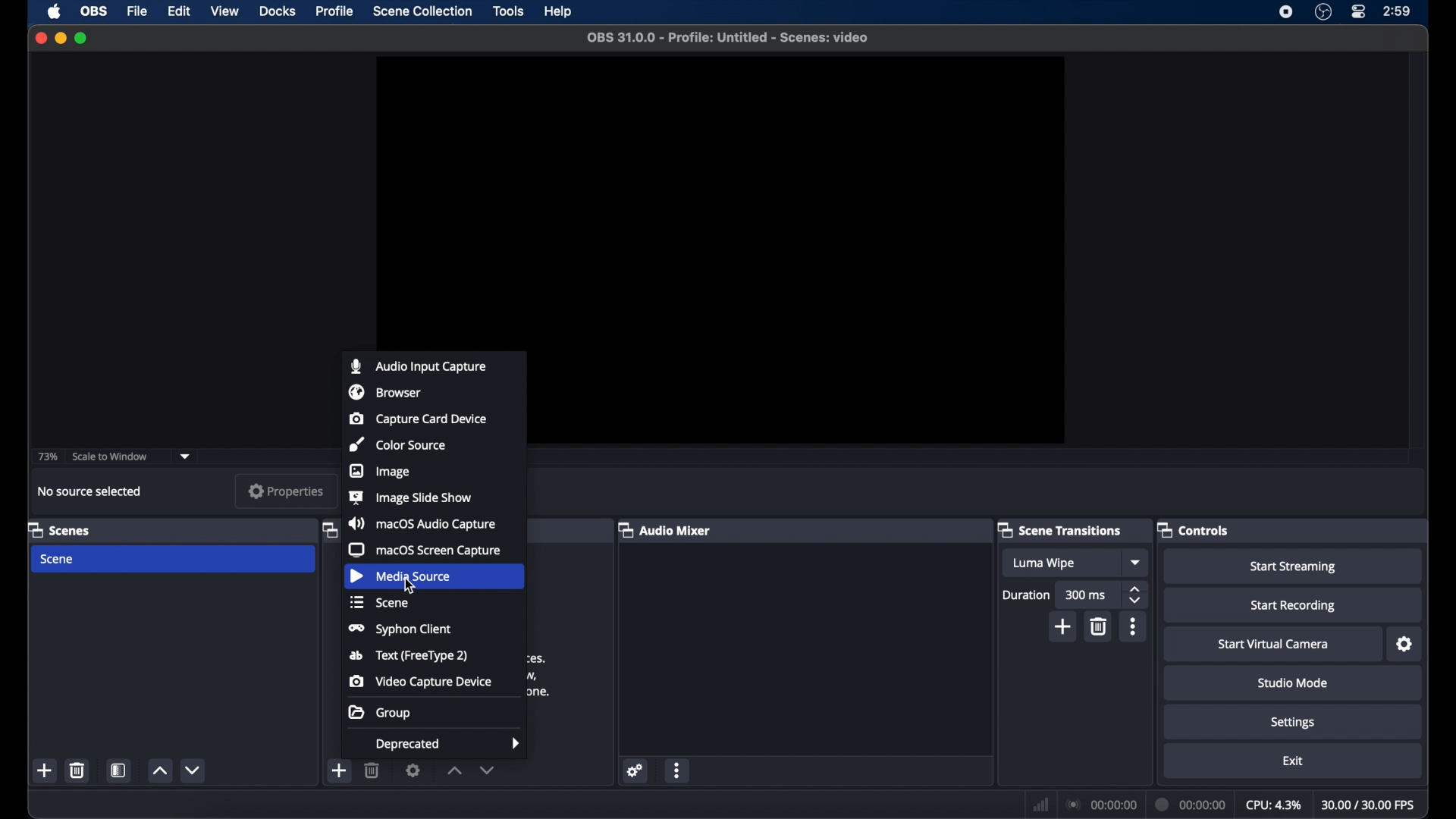  What do you see at coordinates (60, 38) in the screenshot?
I see `minimize` at bounding box center [60, 38].